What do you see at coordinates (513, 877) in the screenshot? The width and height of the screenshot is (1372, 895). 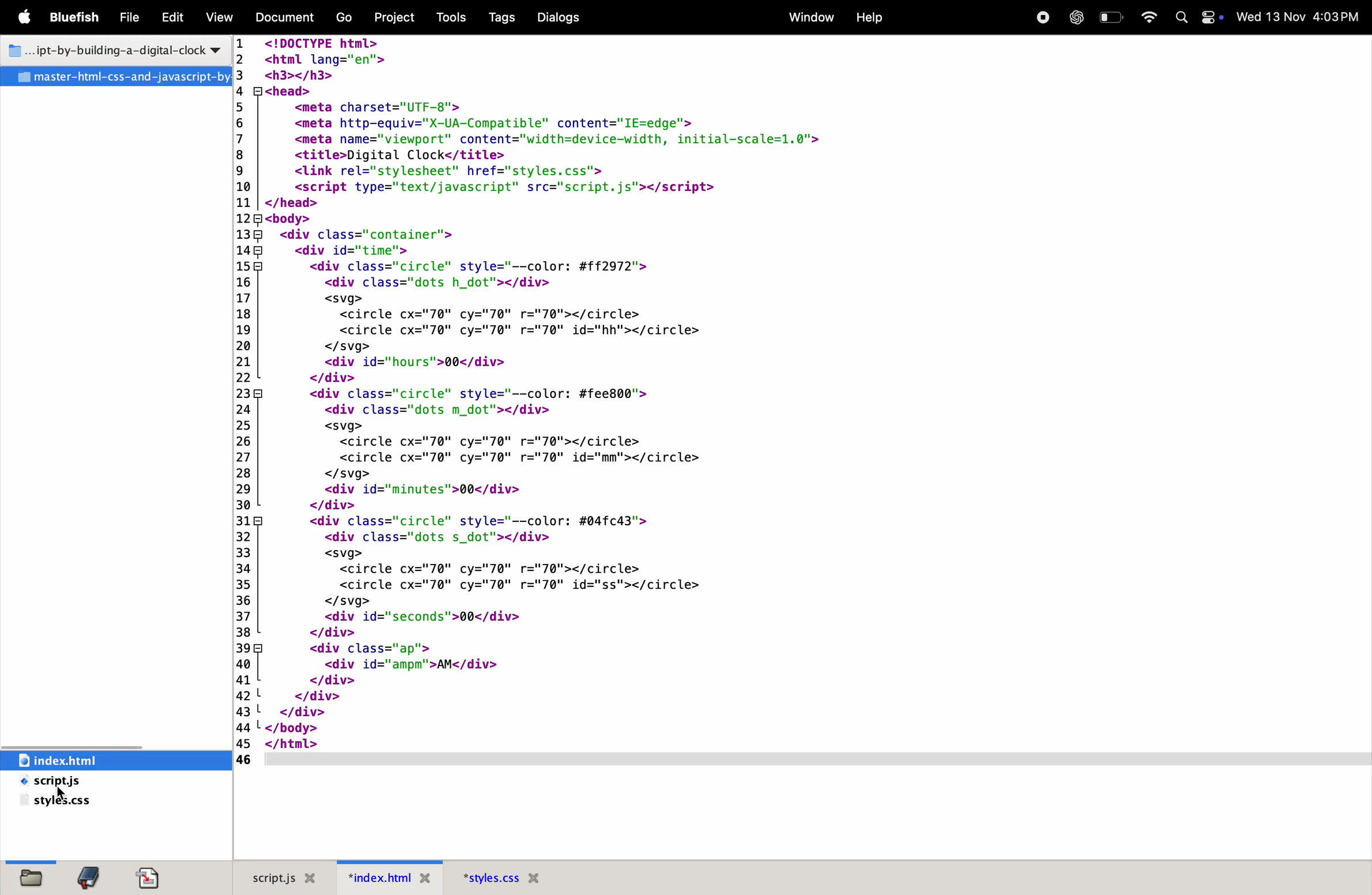 I see `Style.css` at bounding box center [513, 877].